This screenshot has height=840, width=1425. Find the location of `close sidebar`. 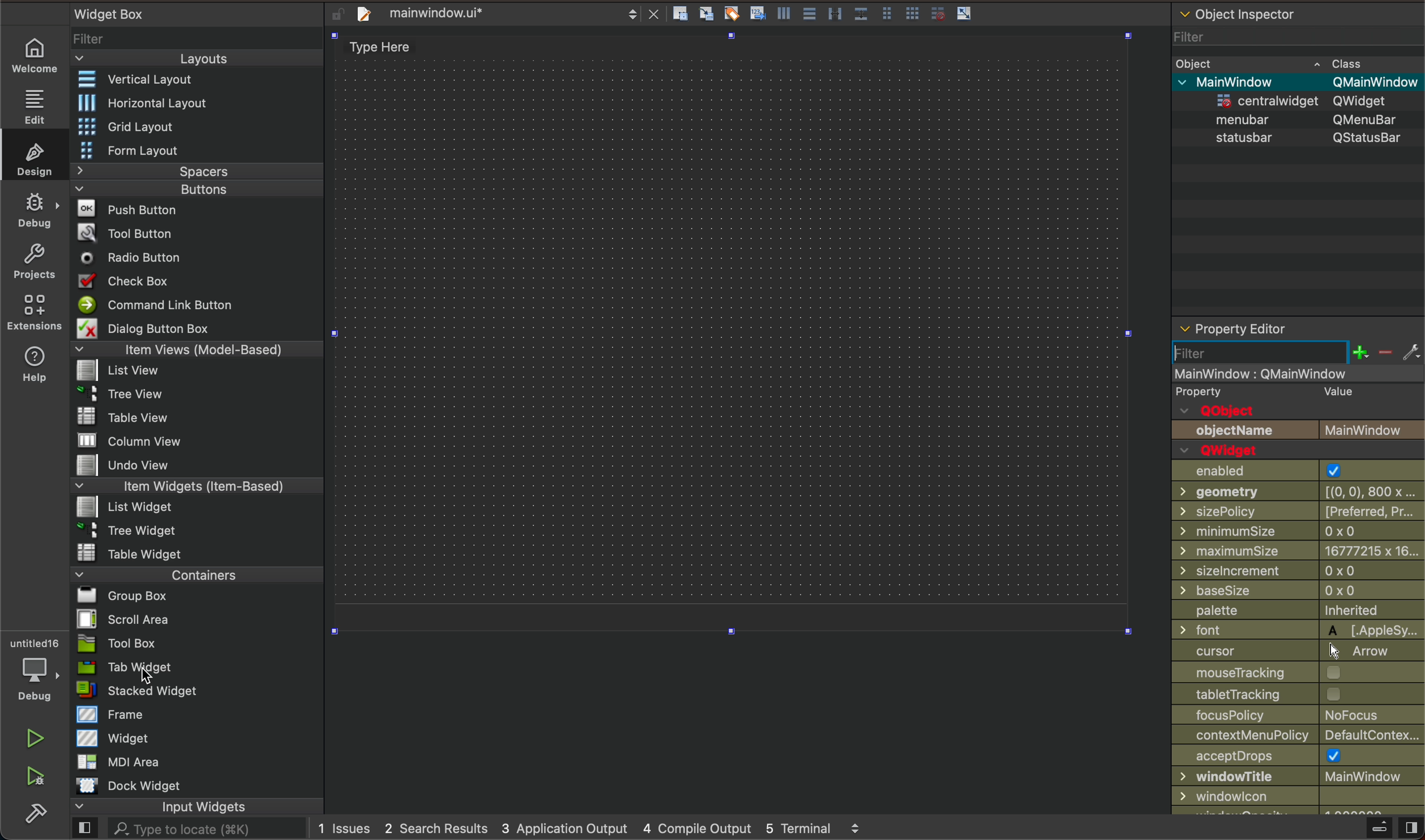

close sidebar is located at coordinates (1389, 828).